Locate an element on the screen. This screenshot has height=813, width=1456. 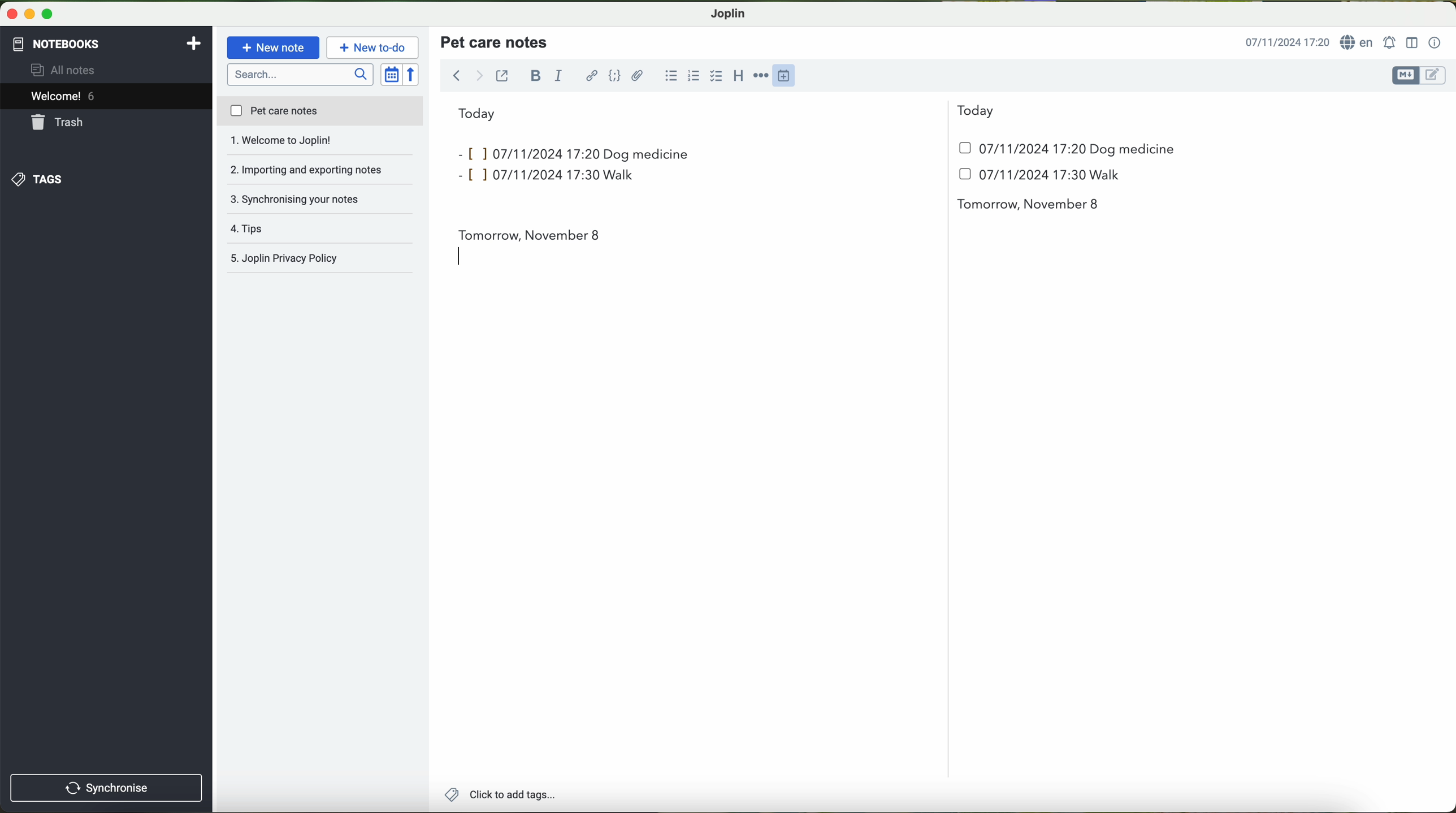
date and hour is located at coordinates (814, 179).